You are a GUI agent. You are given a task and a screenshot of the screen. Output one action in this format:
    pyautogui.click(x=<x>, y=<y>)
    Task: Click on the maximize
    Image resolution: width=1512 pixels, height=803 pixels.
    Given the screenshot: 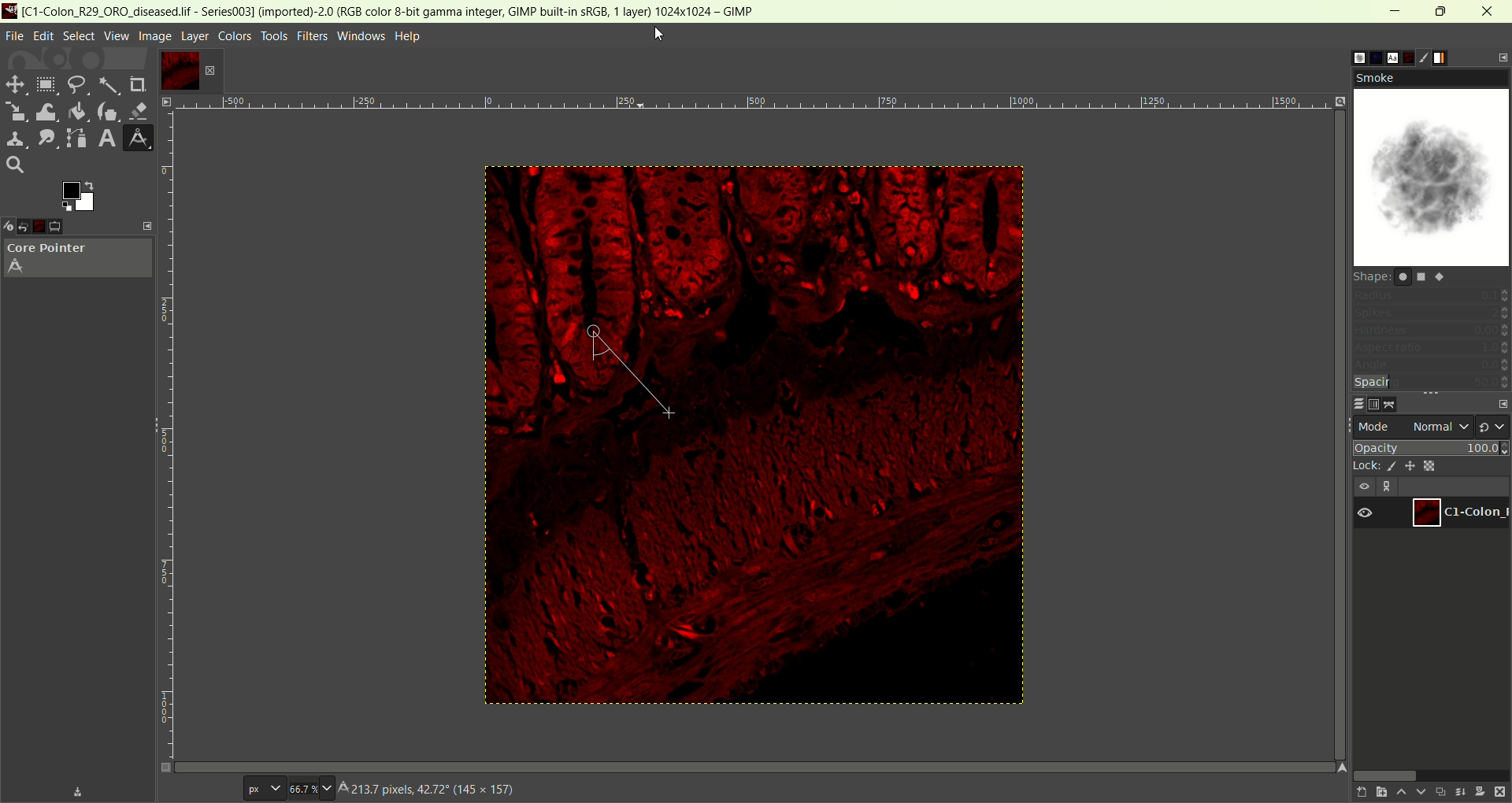 What is the action you would take?
    pyautogui.click(x=1441, y=11)
    